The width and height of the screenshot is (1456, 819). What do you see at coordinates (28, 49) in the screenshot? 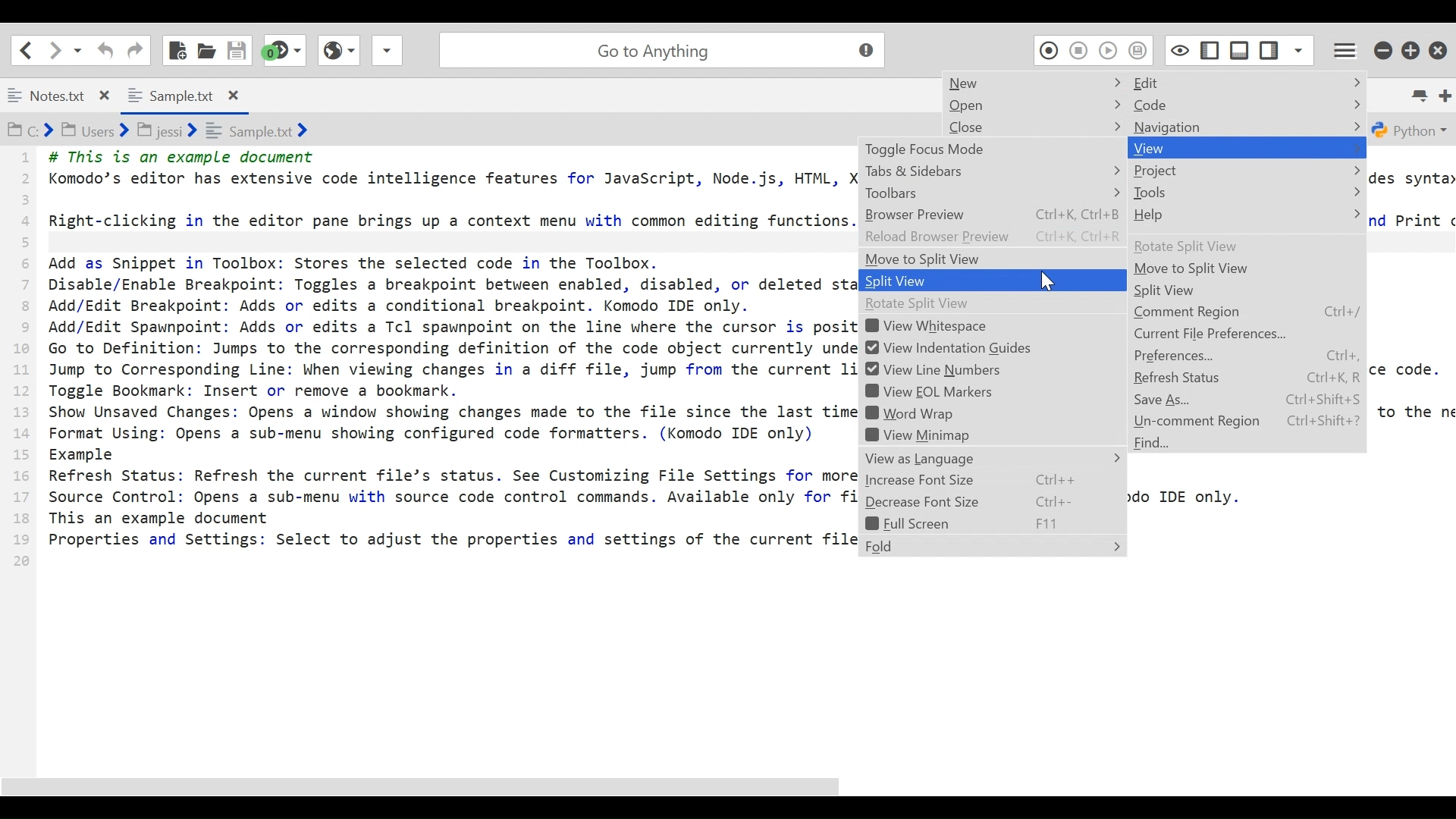
I see `Go back one location` at bounding box center [28, 49].